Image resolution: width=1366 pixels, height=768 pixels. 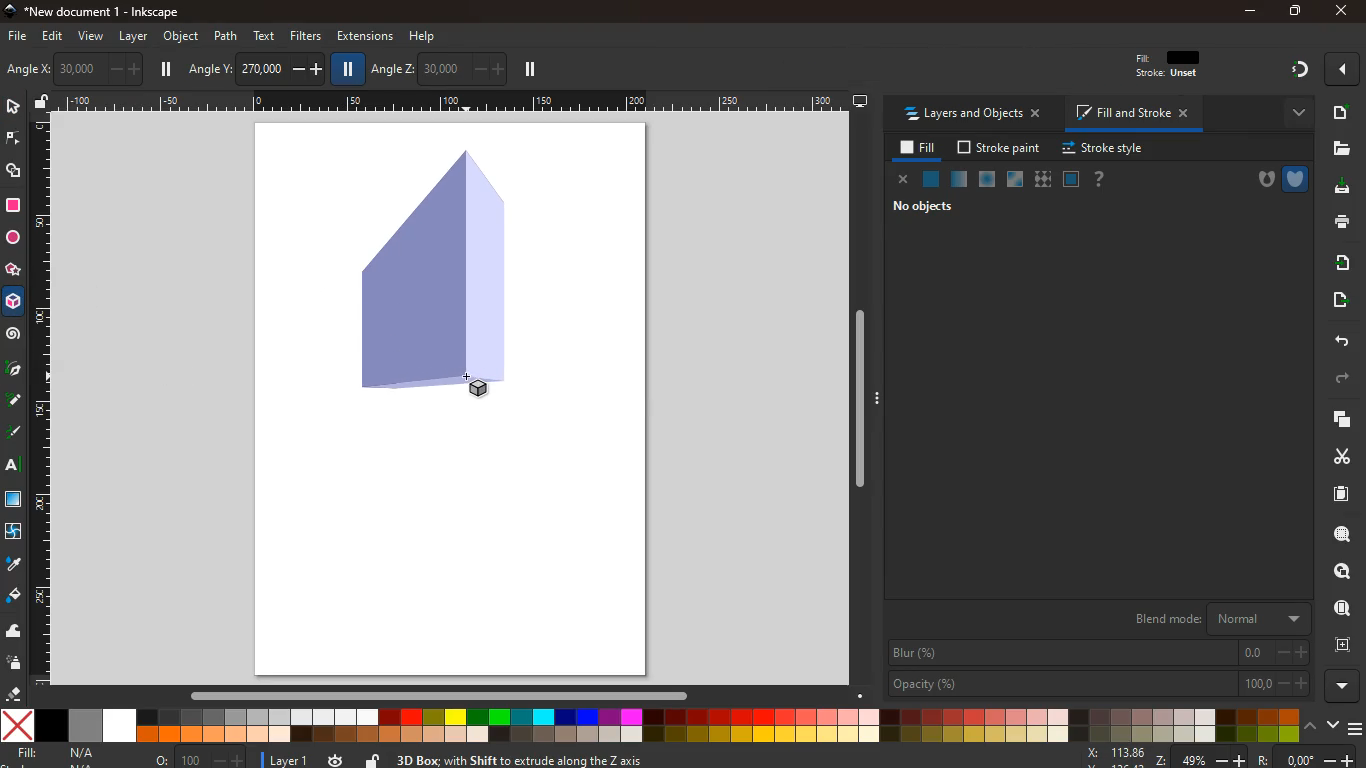 What do you see at coordinates (92, 37) in the screenshot?
I see `view` at bounding box center [92, 37].